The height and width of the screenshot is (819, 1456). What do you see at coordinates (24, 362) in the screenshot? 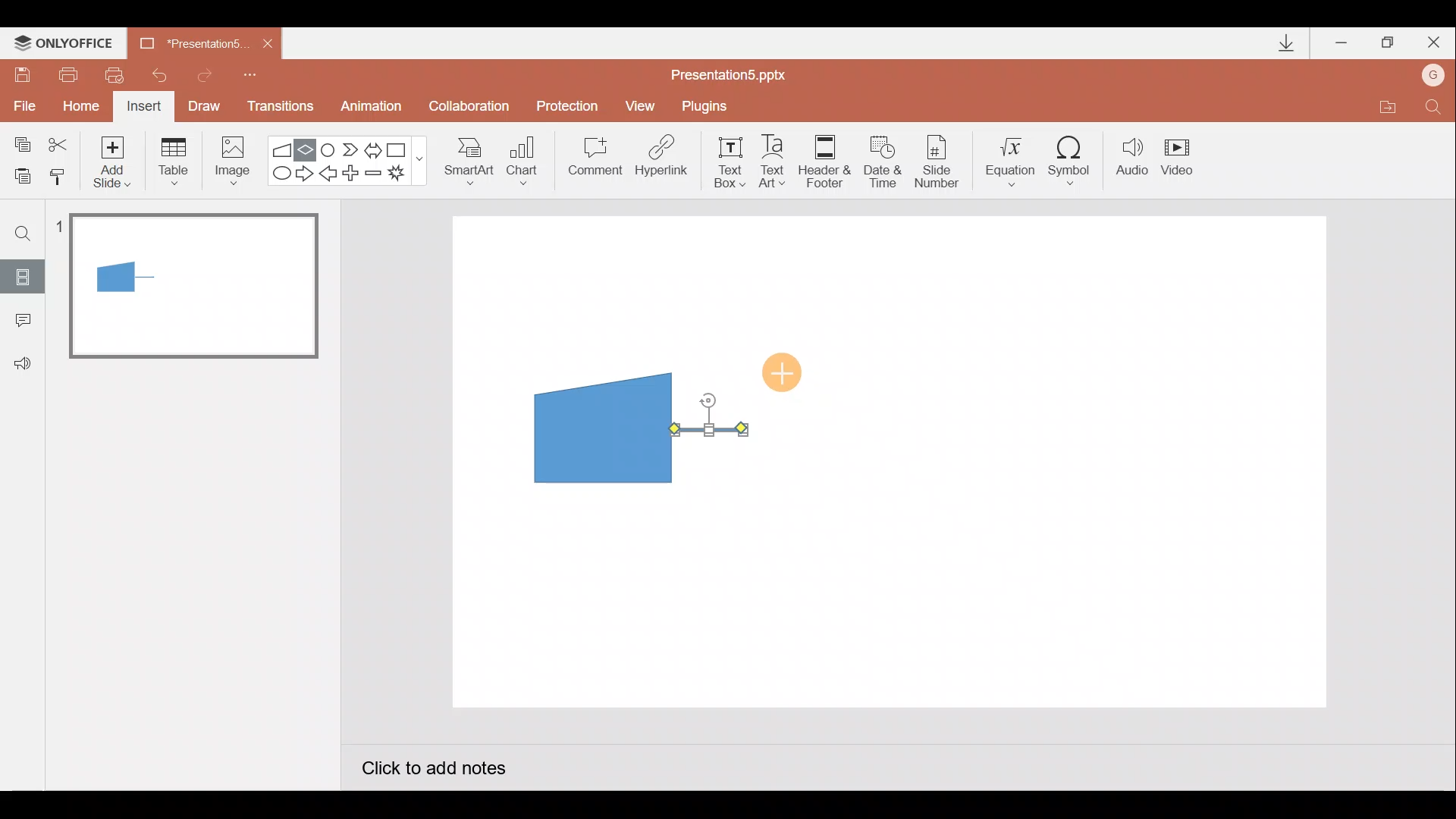
I see `Feedback & support` at bounding box center [24, 362].